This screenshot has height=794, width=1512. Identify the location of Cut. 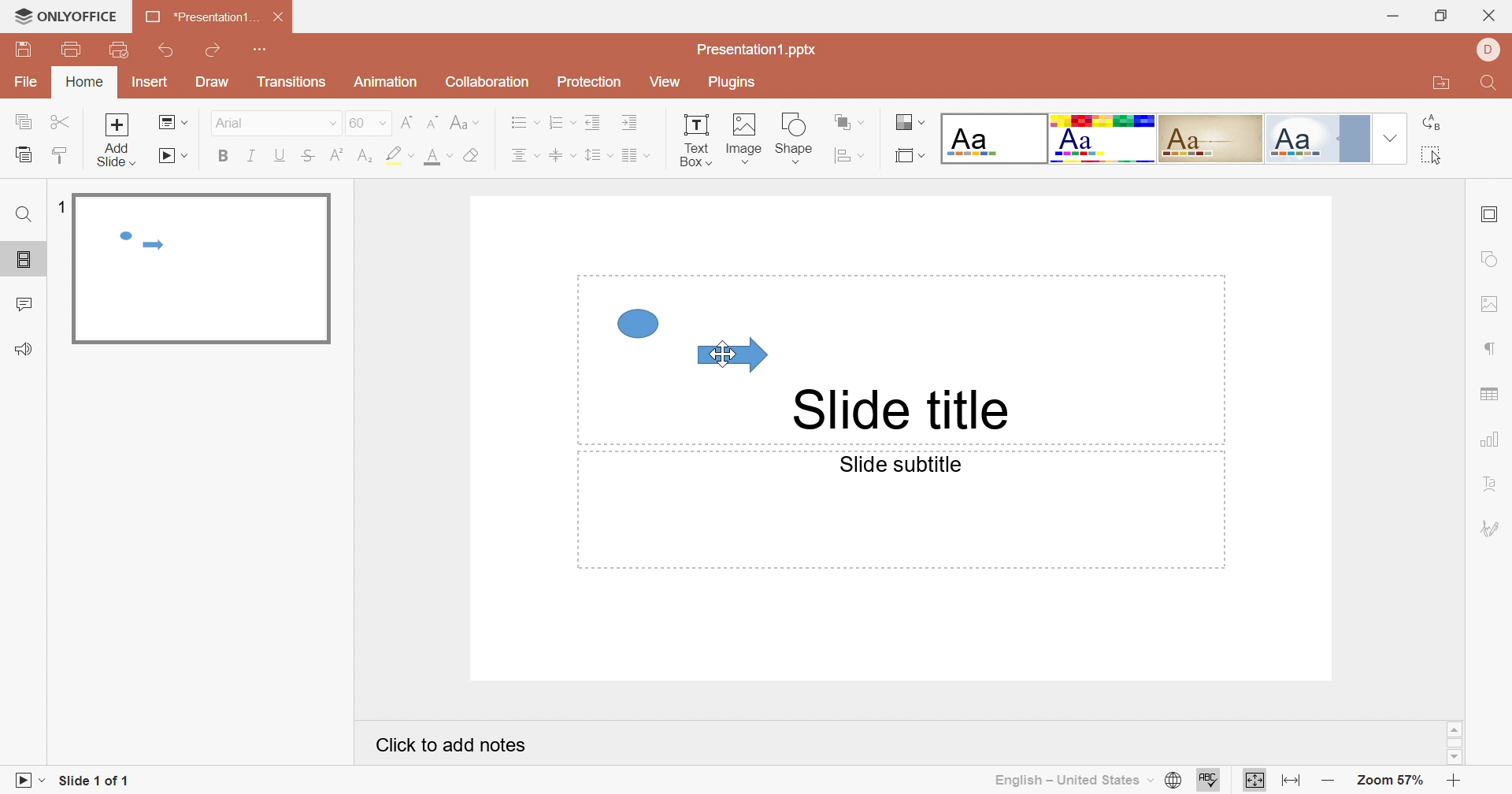
(56, 124).